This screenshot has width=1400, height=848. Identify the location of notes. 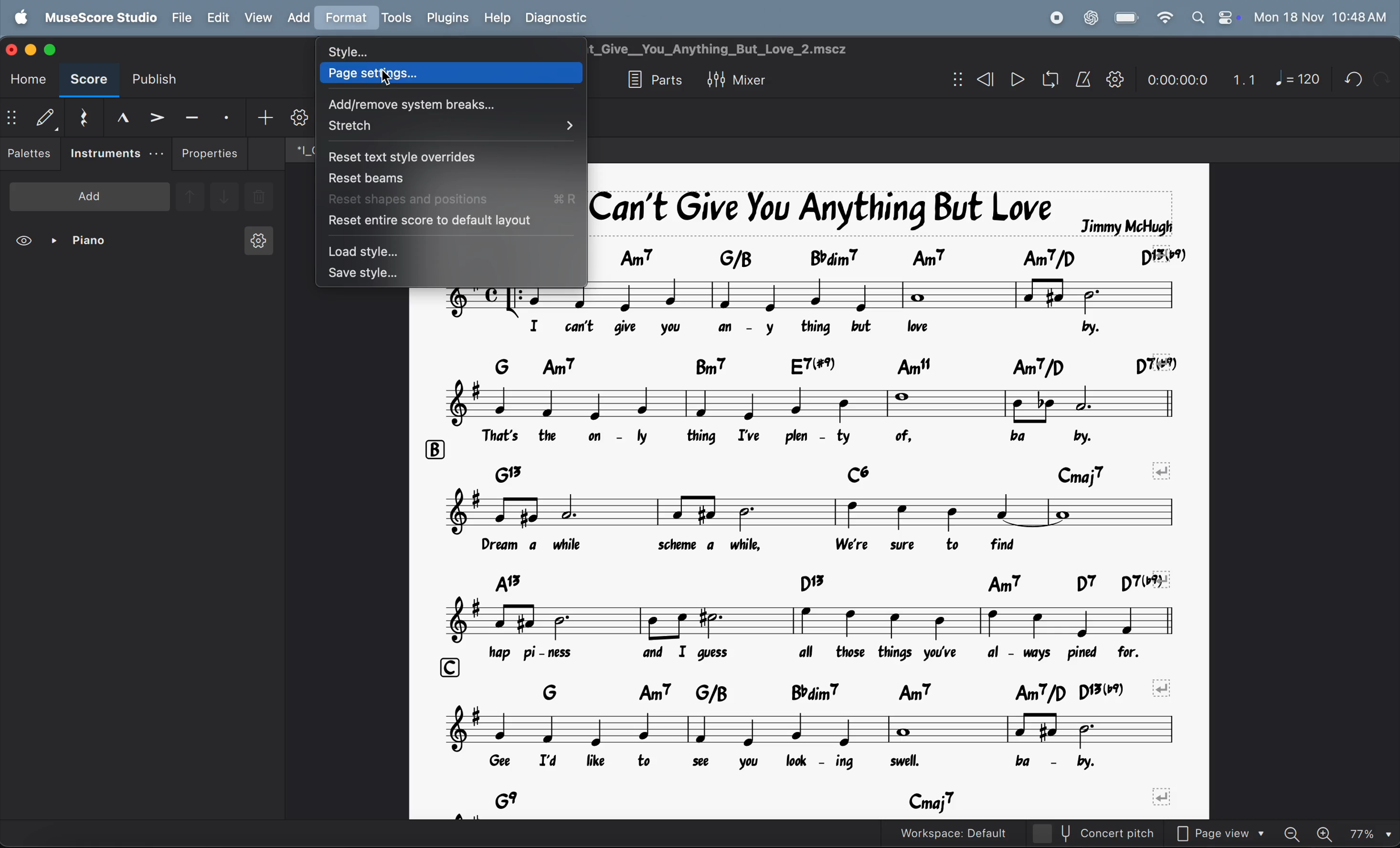
(826, 512).